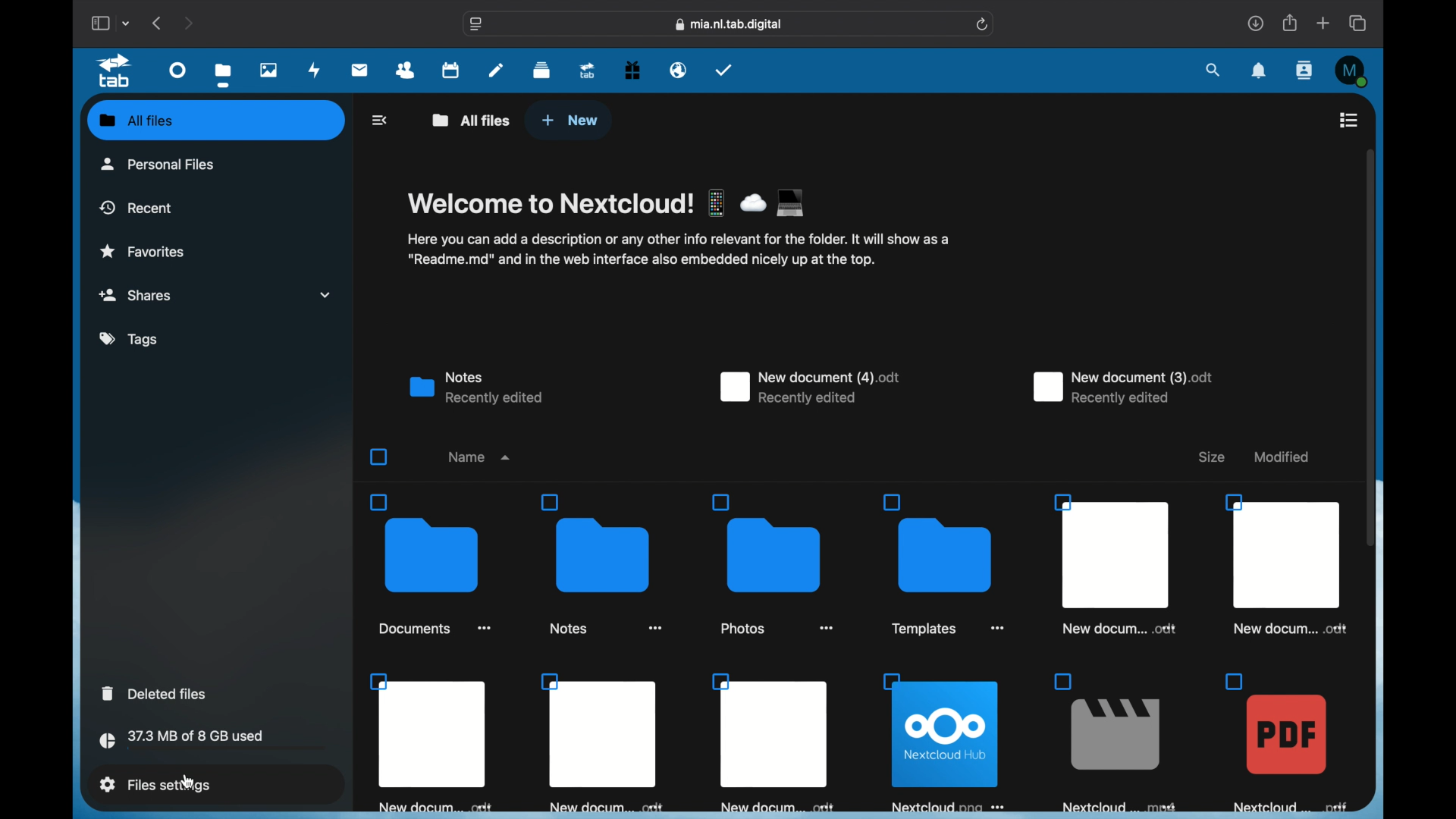  Describe the element at coordinates (158, 23) in the screenshot. I see `previous` at that location.